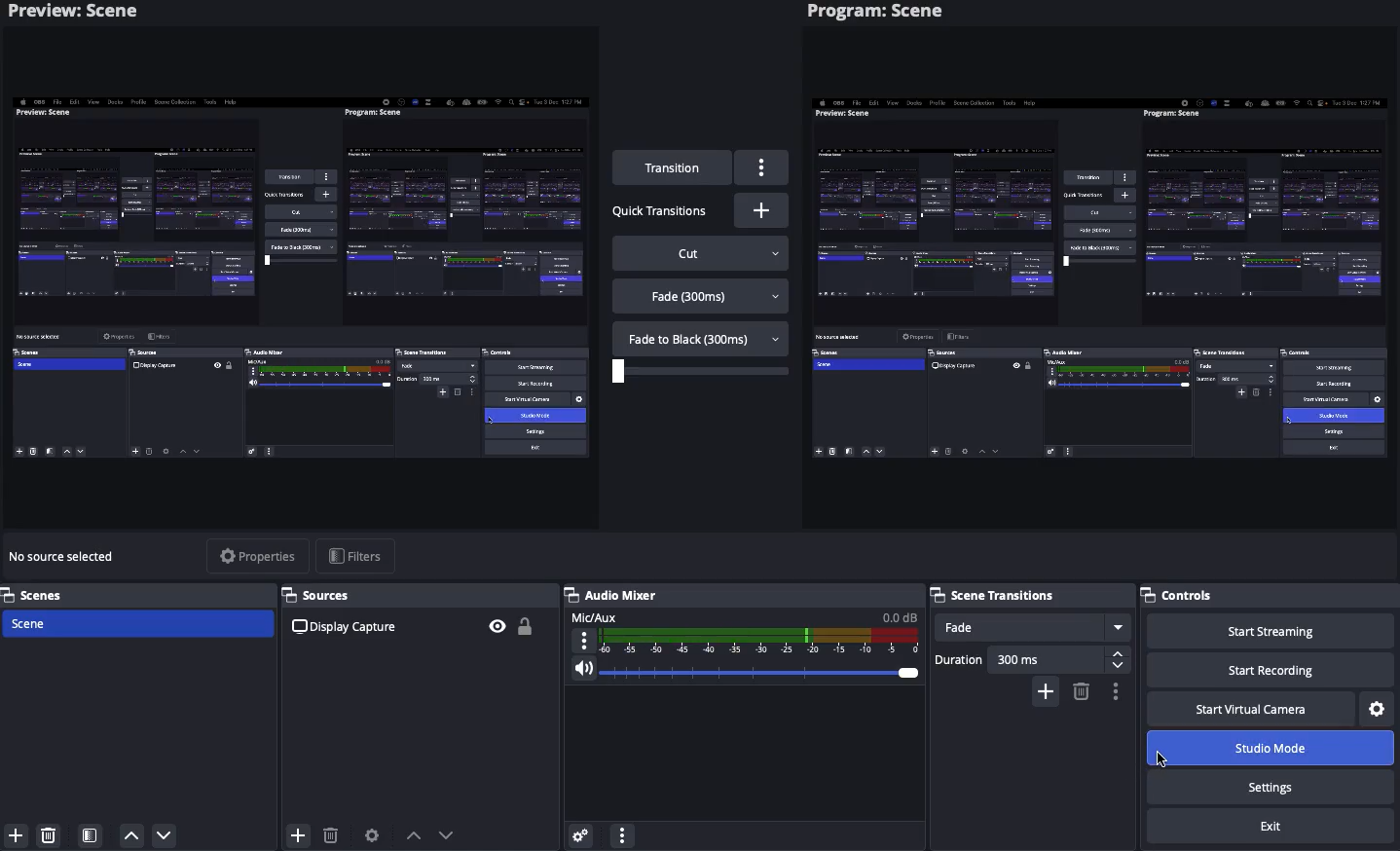  I want to click on Move down, so click(450, 834).